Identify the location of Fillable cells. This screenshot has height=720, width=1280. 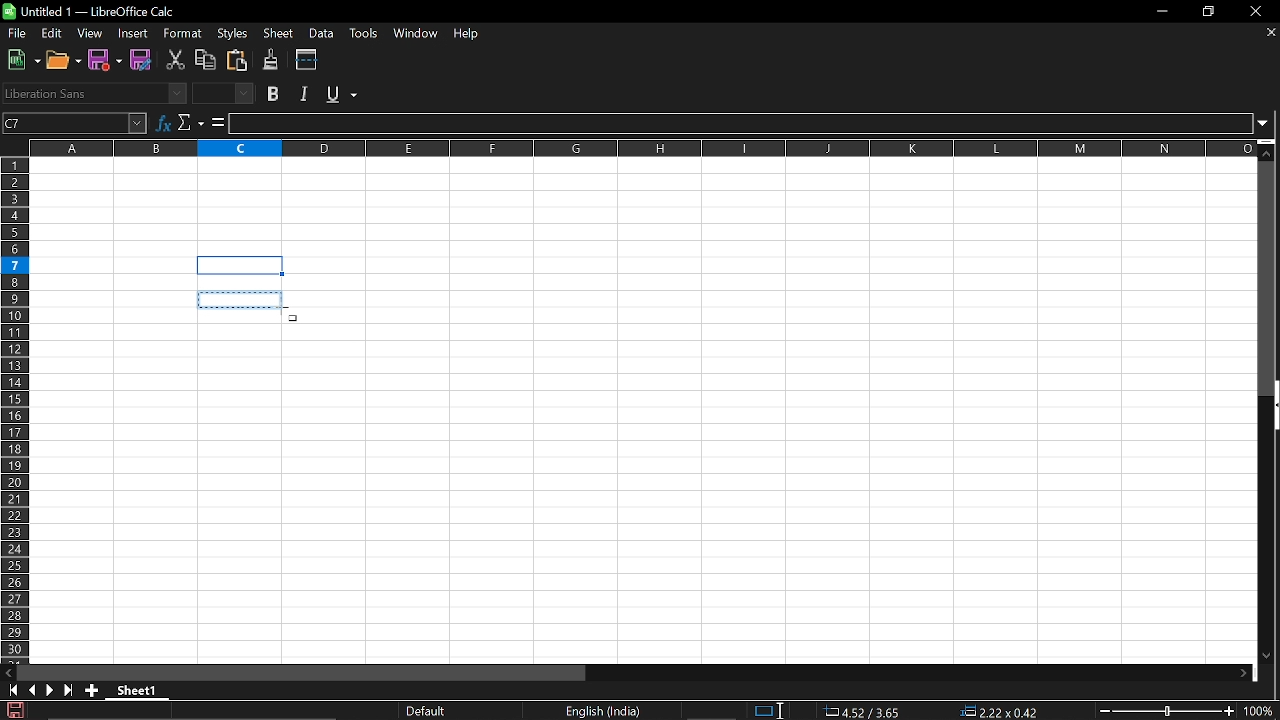
(644, 206).